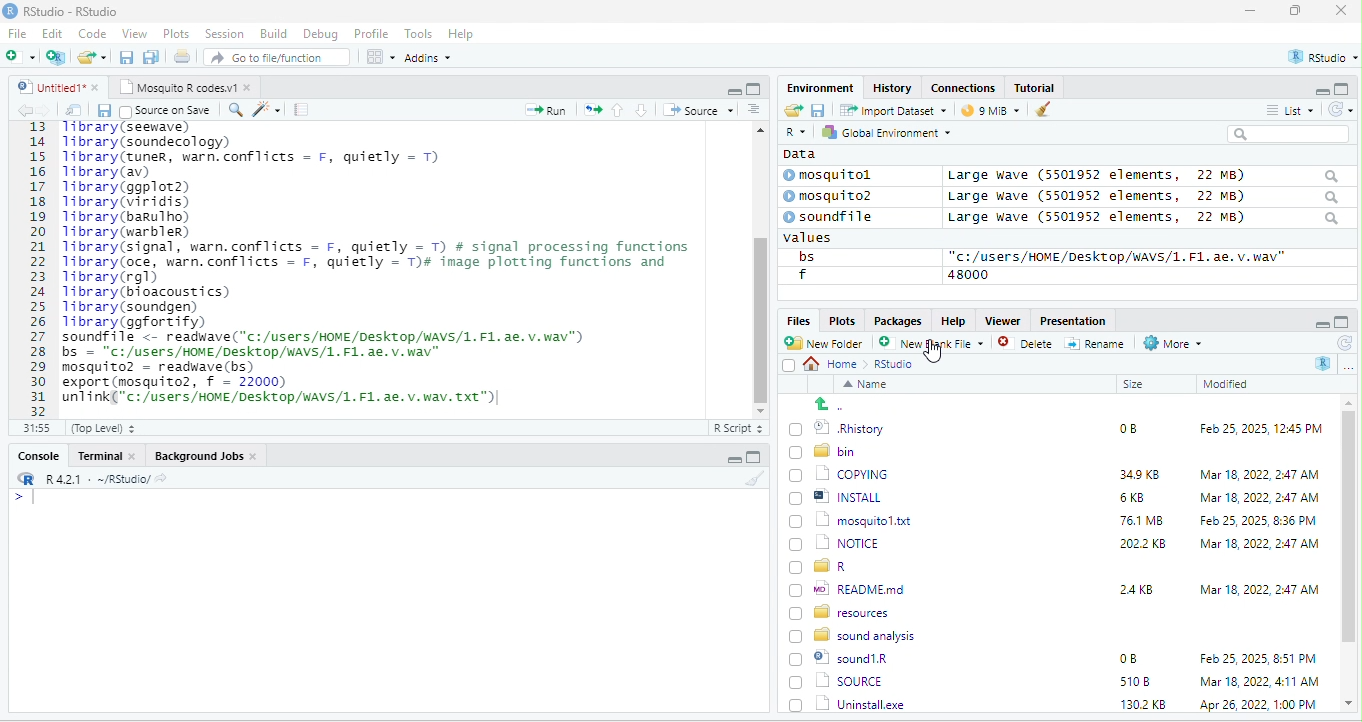 The width and height of the screenshot is (1362, 722). What do you see at coordinates (1258, 681) in the screenshot?
I see `Mar 18, 2022, 4:11 AM` at bounding box center [1258, 681].